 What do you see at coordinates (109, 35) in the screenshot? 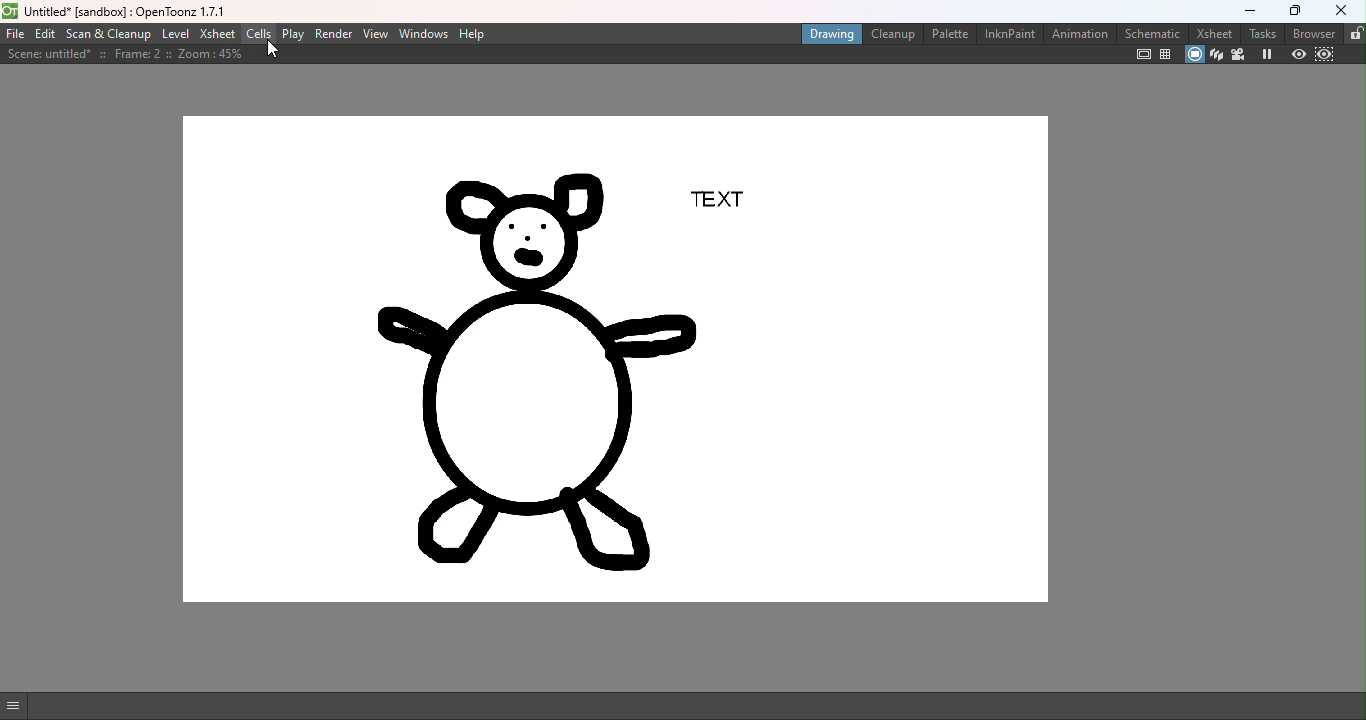
I see `Scan & Cleanup` at bounding box center [109, 35].